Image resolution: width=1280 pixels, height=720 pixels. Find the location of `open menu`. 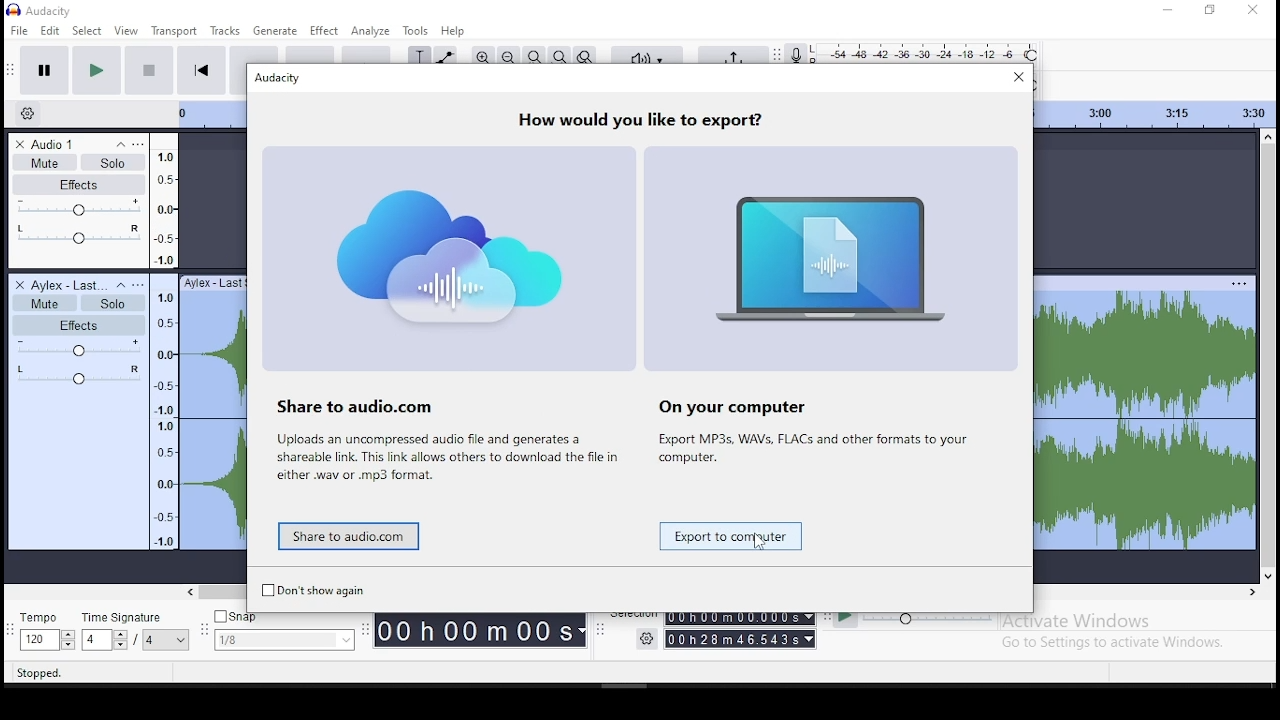

open menu is located at coordinates (140, 144).